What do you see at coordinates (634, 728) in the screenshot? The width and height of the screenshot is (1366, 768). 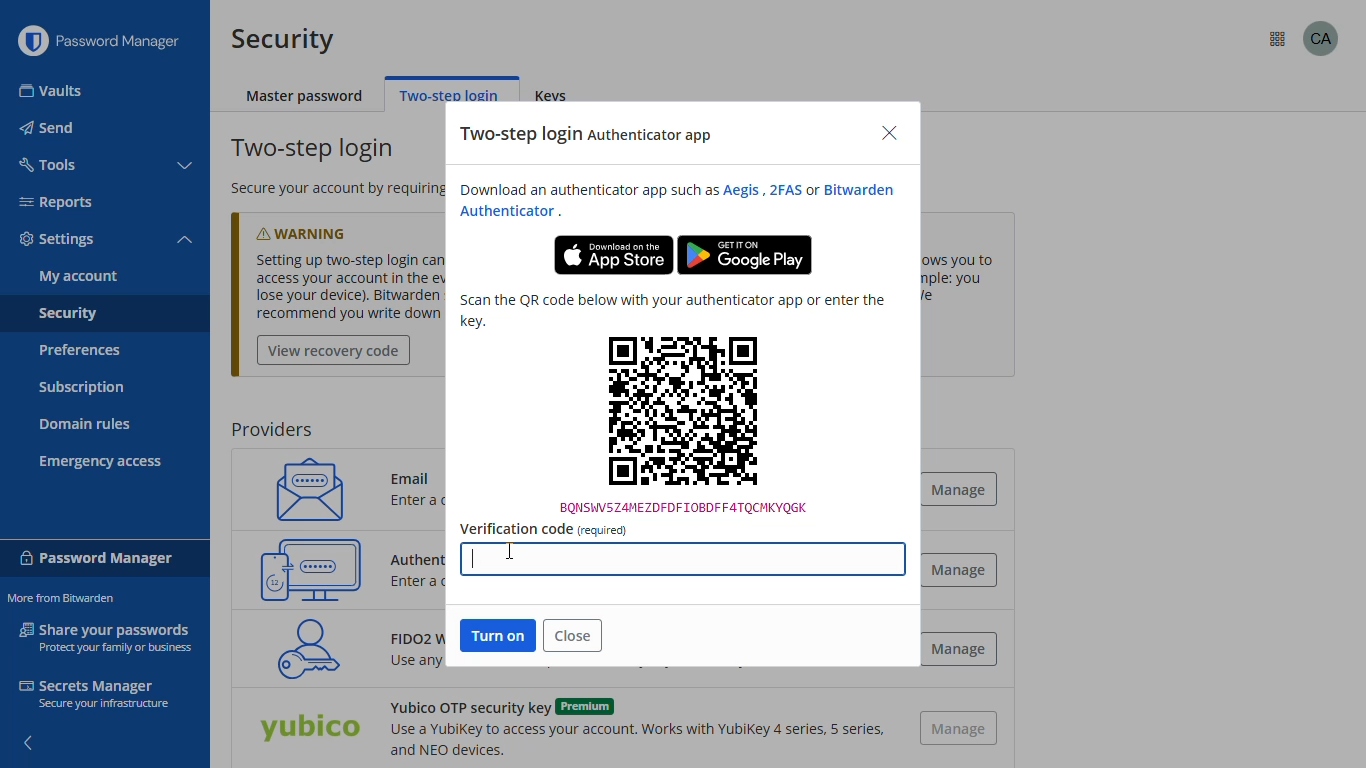 I see `Yubico OTP security key (Premium)Use a YubiKey to access your account. Works with Yubikey 4 series, 5 series,and NEO devices.` at bounding box center [634, 728].